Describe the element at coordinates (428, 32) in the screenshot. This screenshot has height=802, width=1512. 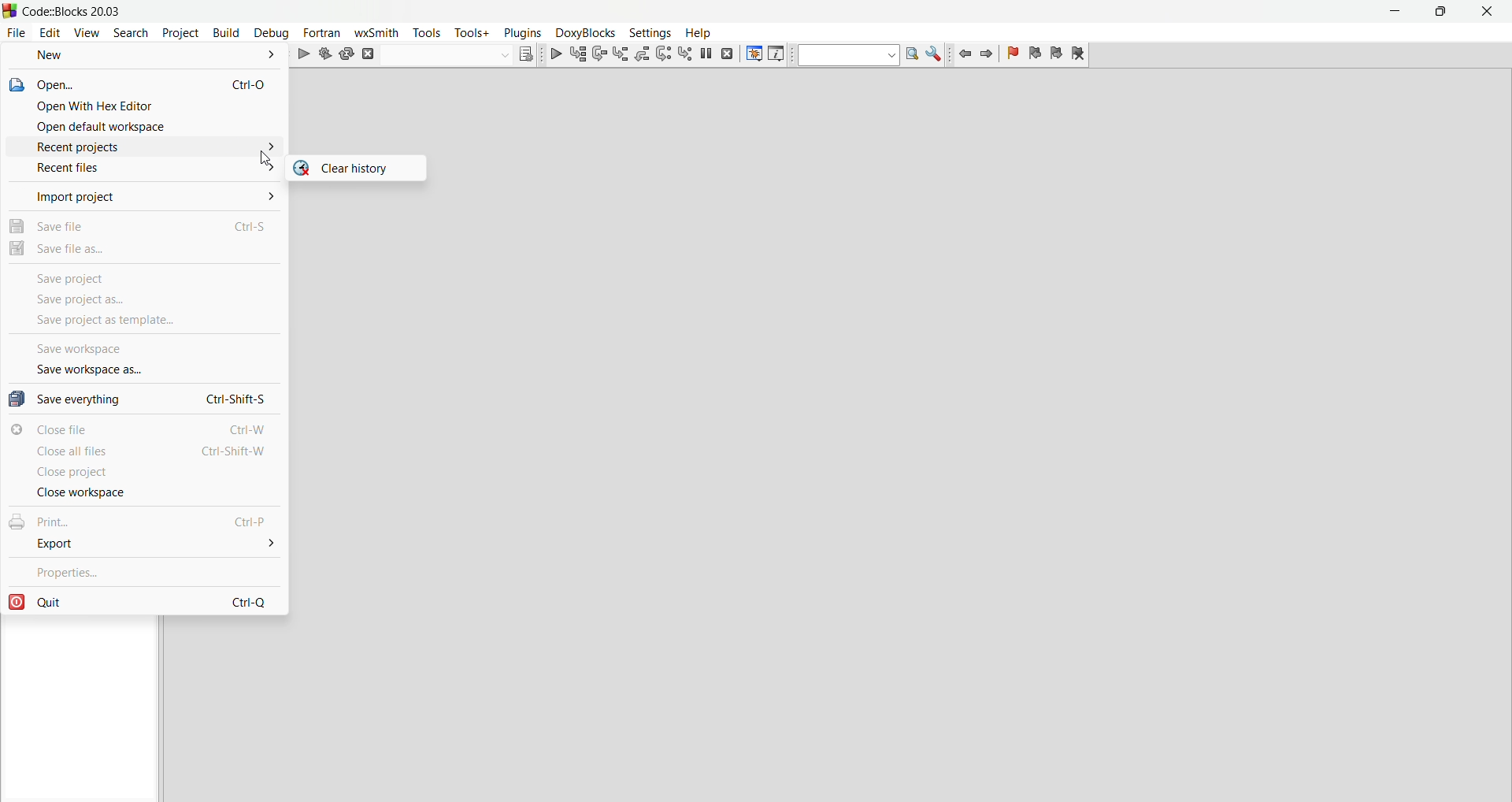
I see `tools` at that location.